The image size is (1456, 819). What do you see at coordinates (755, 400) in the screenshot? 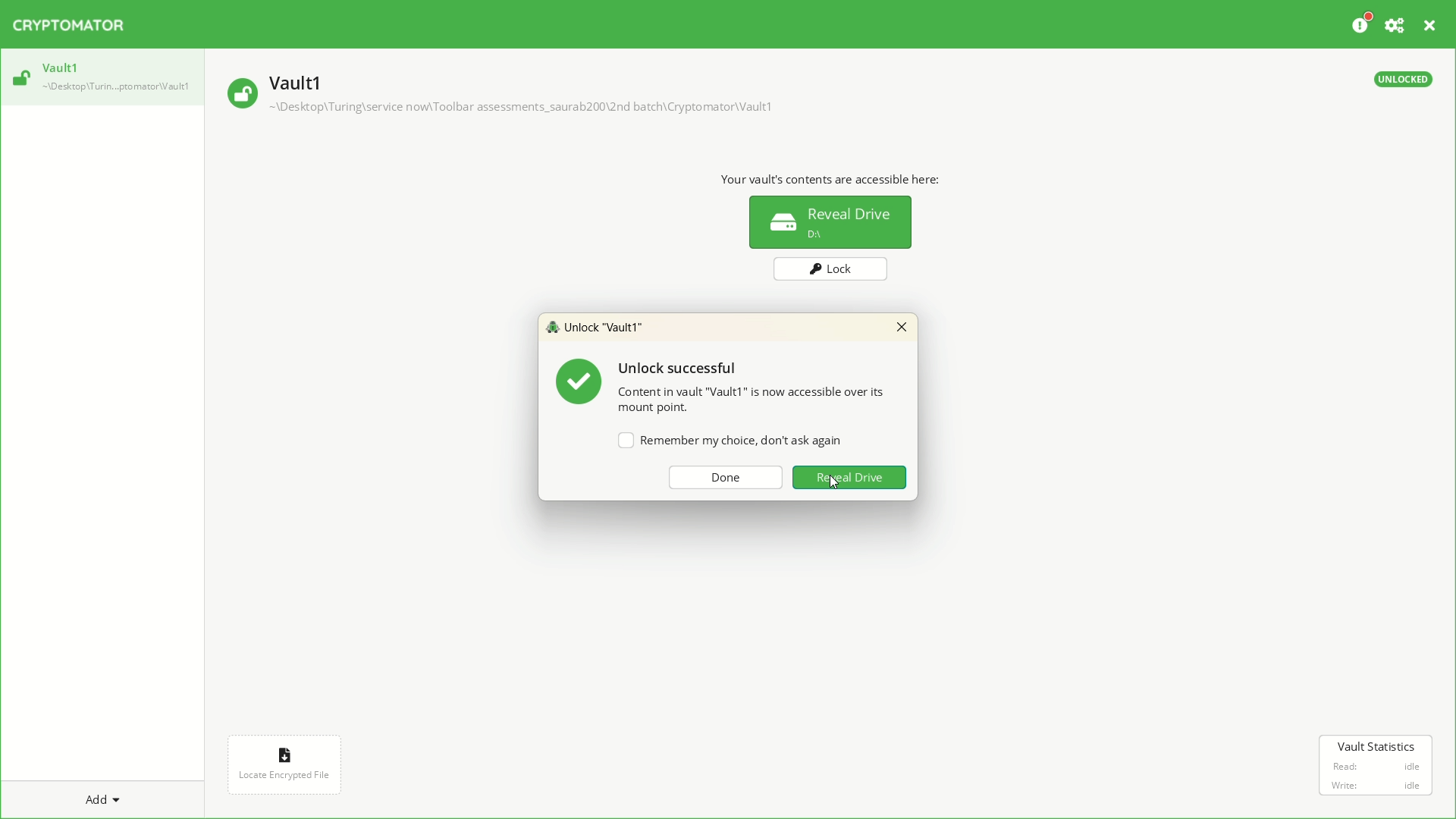
I see `Content in vault "Vault1" is now accessible over its mount point` at bounding box center [755, 400].